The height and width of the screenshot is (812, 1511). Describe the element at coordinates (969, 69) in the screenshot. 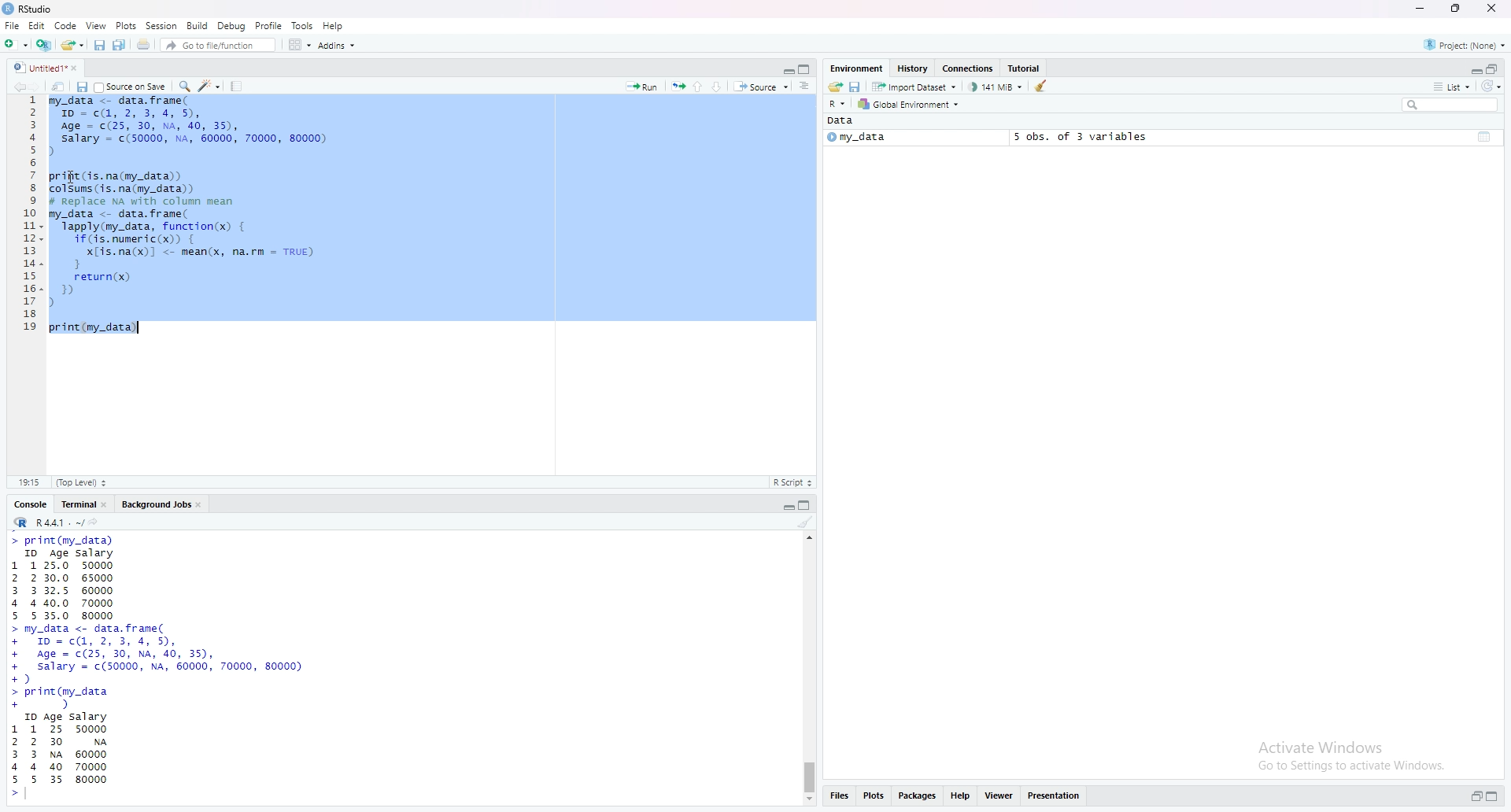

I see `connections` at that location.